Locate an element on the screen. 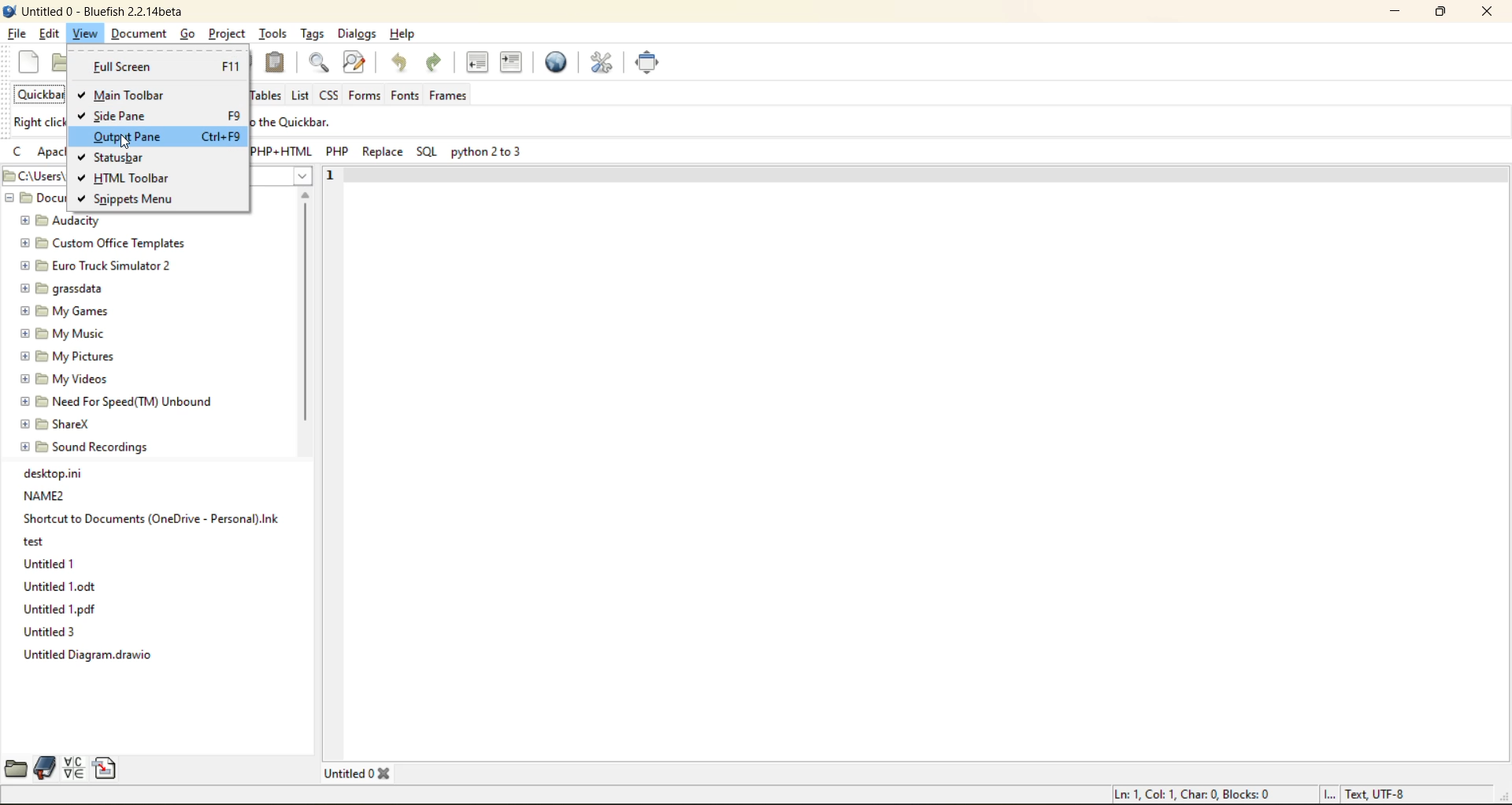 This screenshot has height=805, width=1512. indent is located at coordinates (510, 65).